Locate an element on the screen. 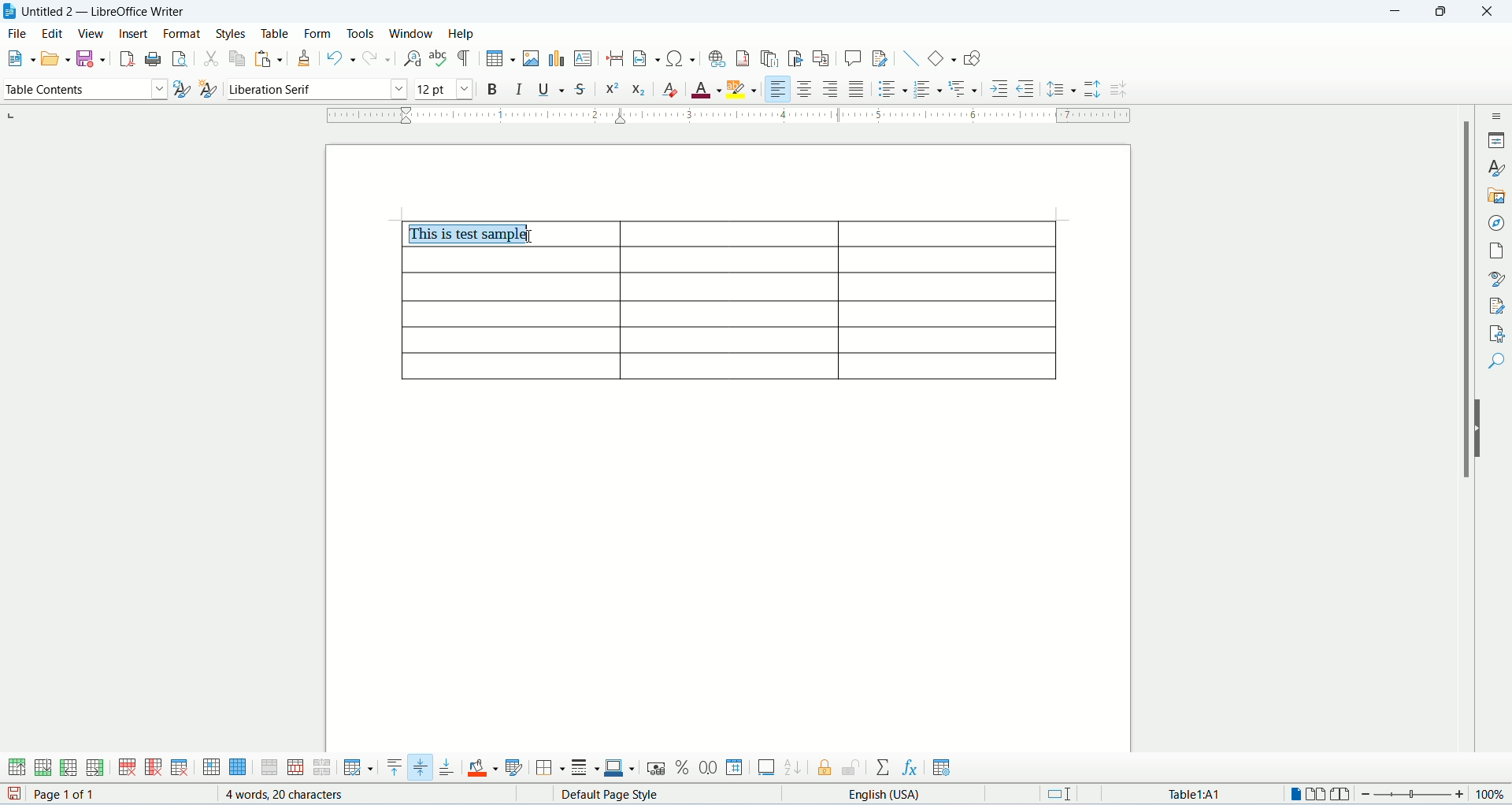 This screenshot has width=1512, height=805. border color is located at coordinates (621, 770).